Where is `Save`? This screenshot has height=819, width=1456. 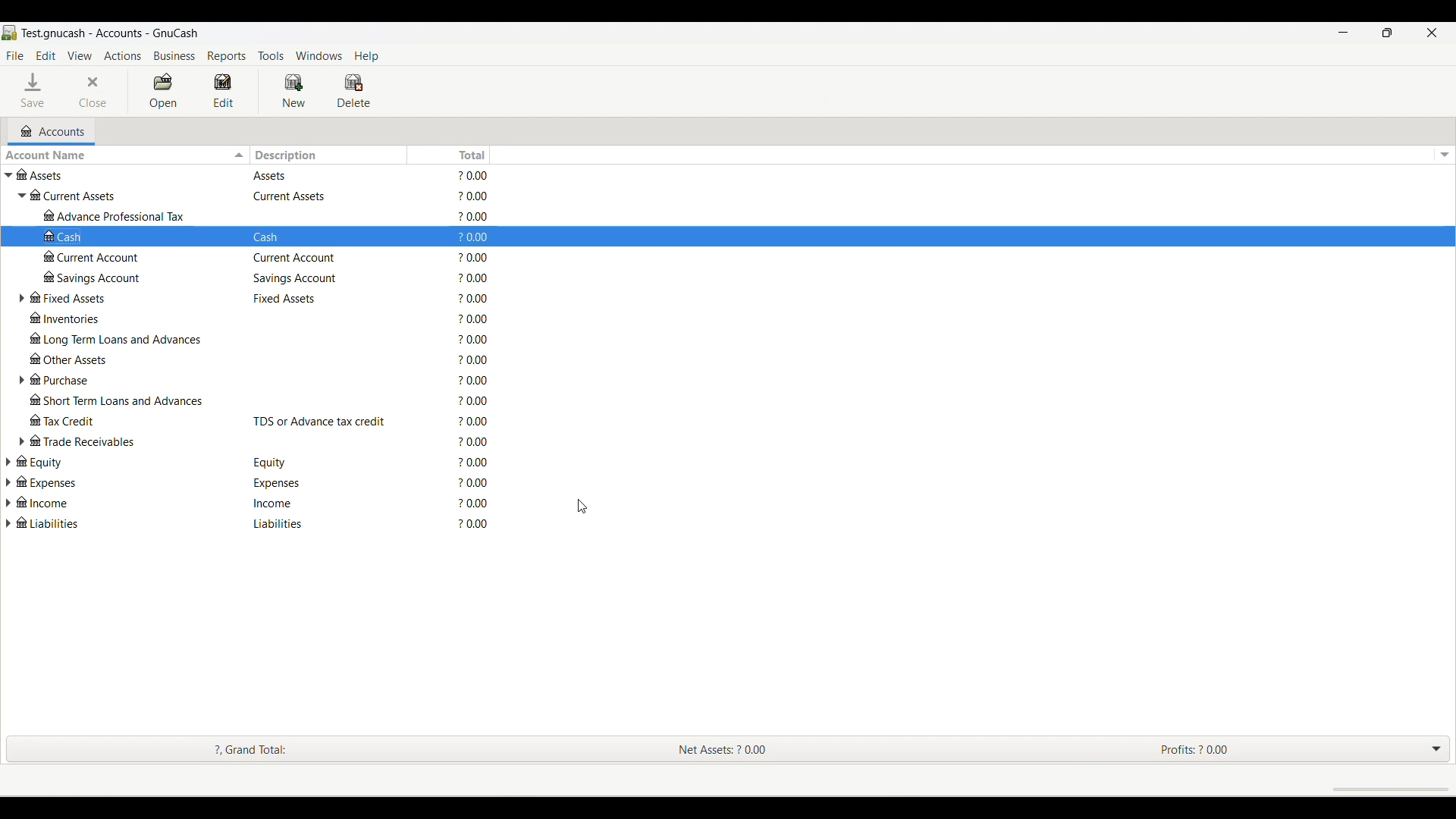
Save is located at coordinates (32, 89).